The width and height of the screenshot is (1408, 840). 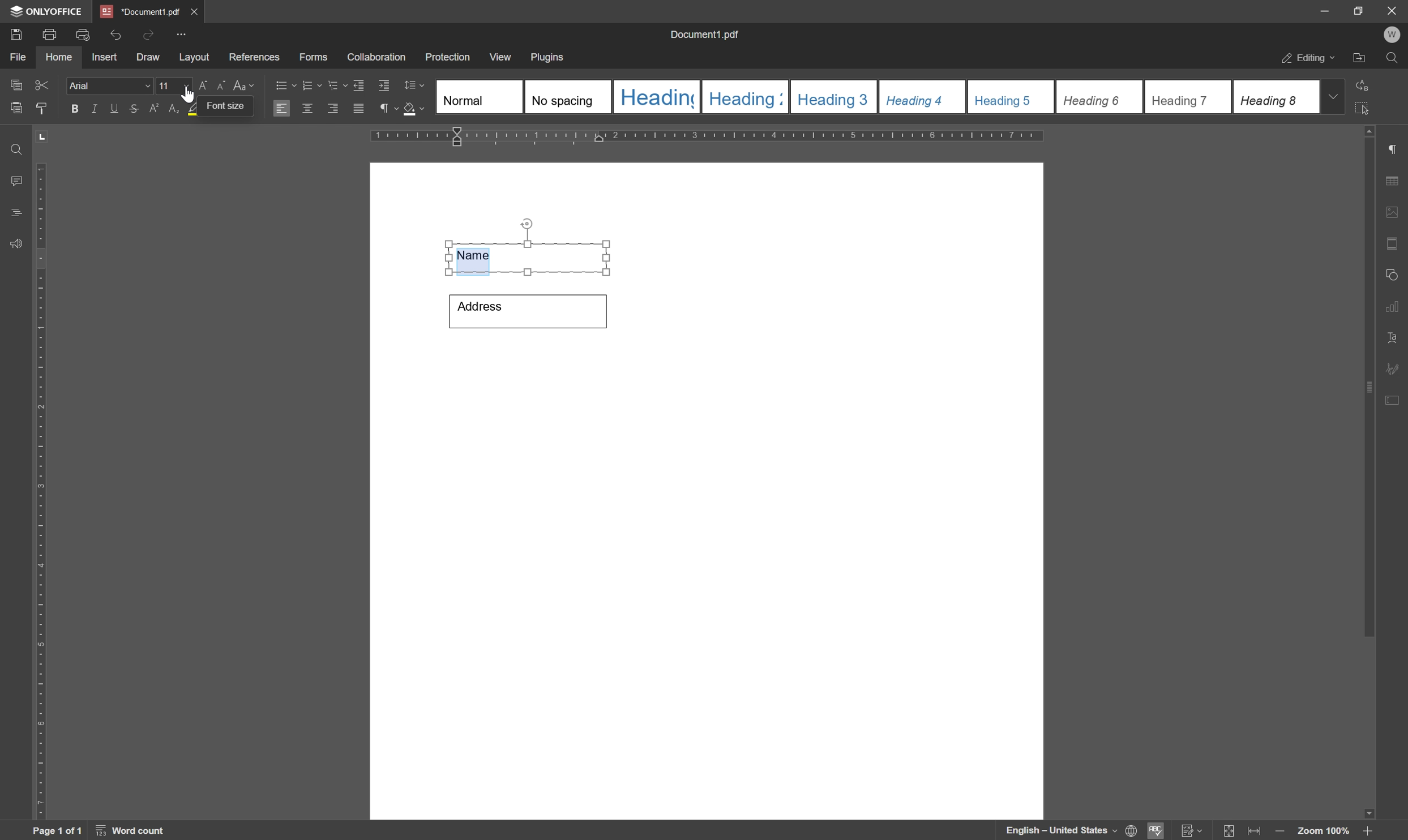 What do you see at coordinates (307, 108) in the screenshot?
I see `Align center` at bounding box center [307, 108].